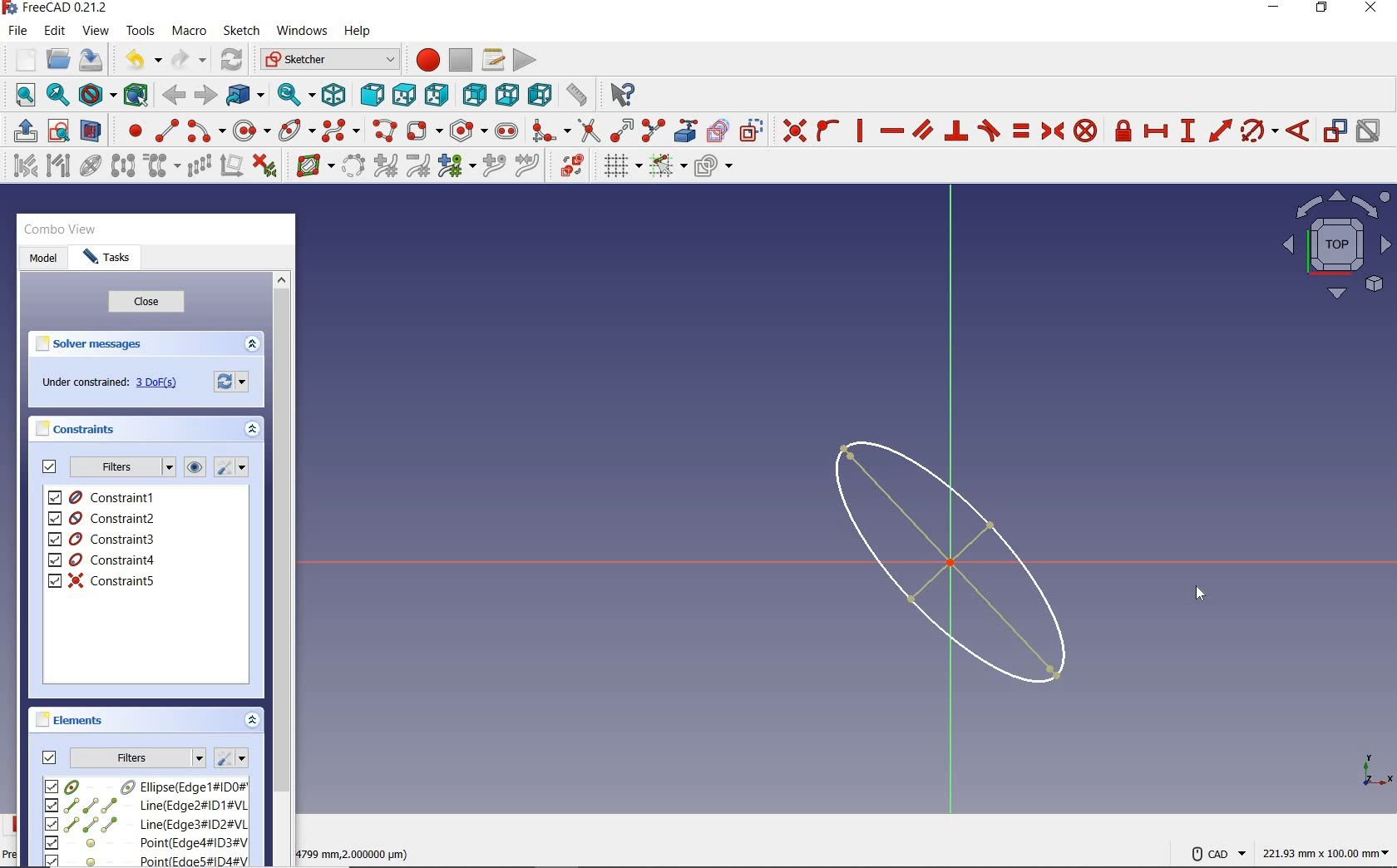 Image resolution: width=1397 pixels, height=868 pixels. What do you see at coordinates (495, 166) in the screenshot?
I see `insert knot` at bounding box center [495, 166].